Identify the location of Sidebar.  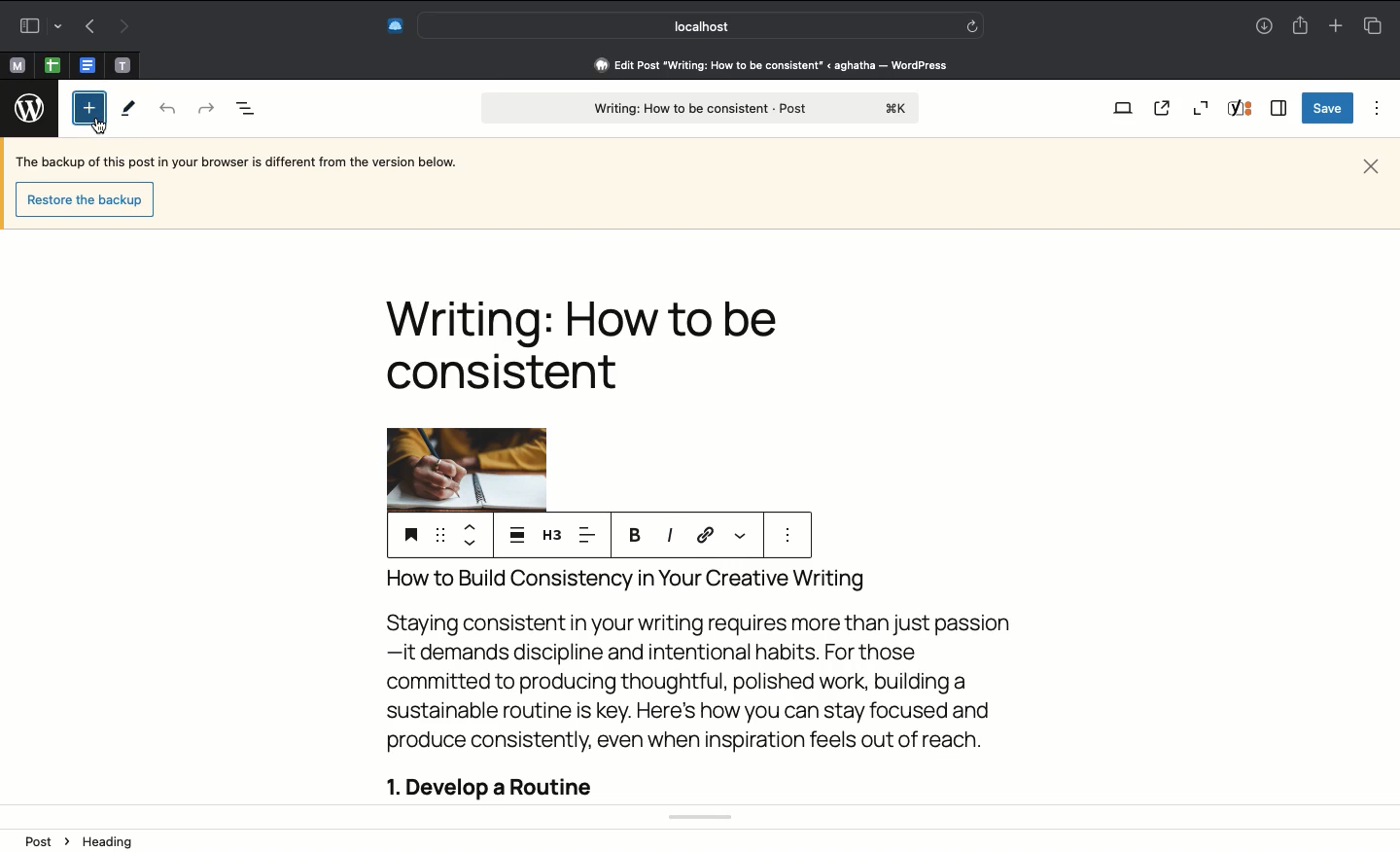
(36, 25).